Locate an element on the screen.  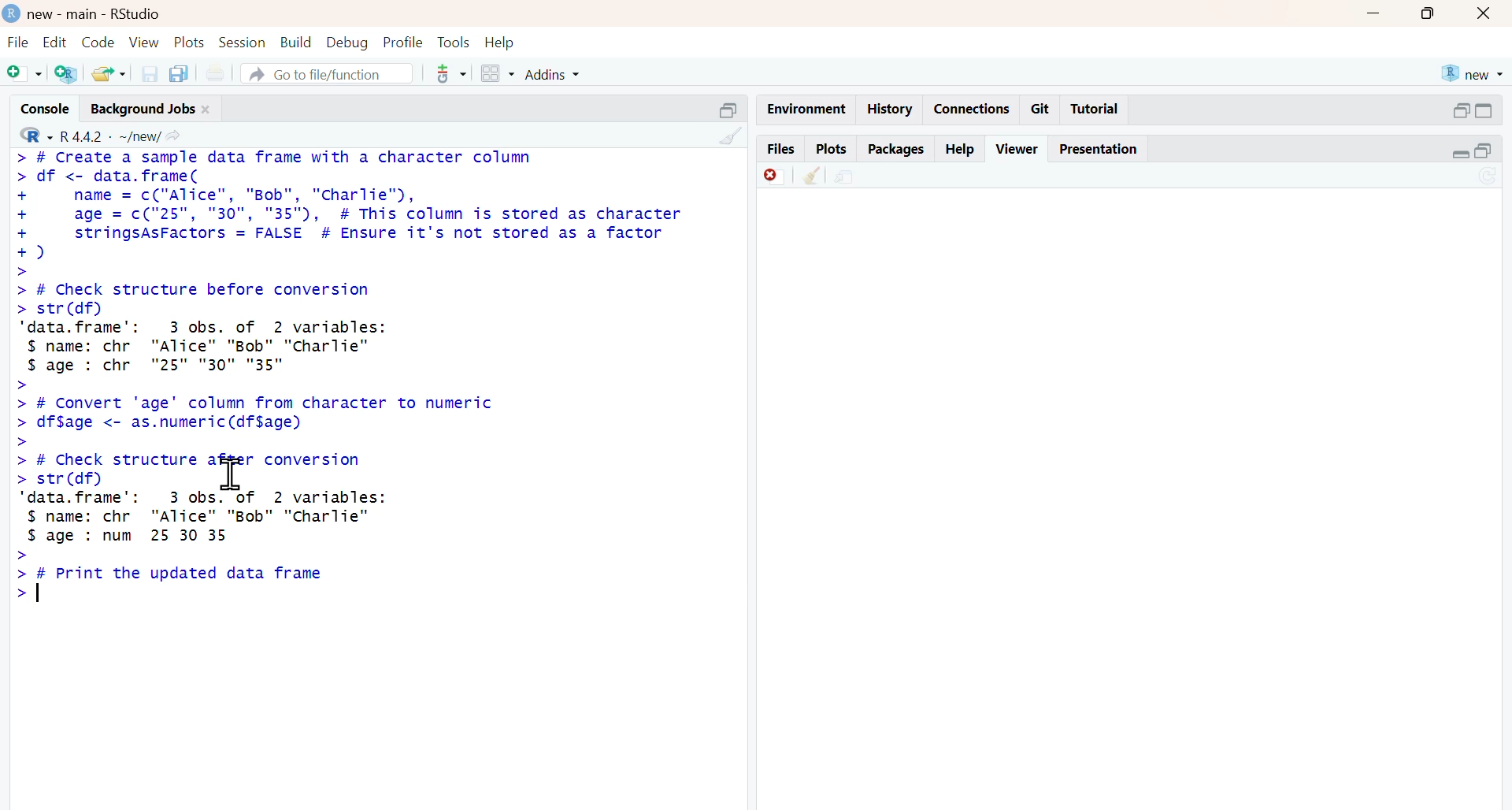
debug is located at coordinates (347, 43).